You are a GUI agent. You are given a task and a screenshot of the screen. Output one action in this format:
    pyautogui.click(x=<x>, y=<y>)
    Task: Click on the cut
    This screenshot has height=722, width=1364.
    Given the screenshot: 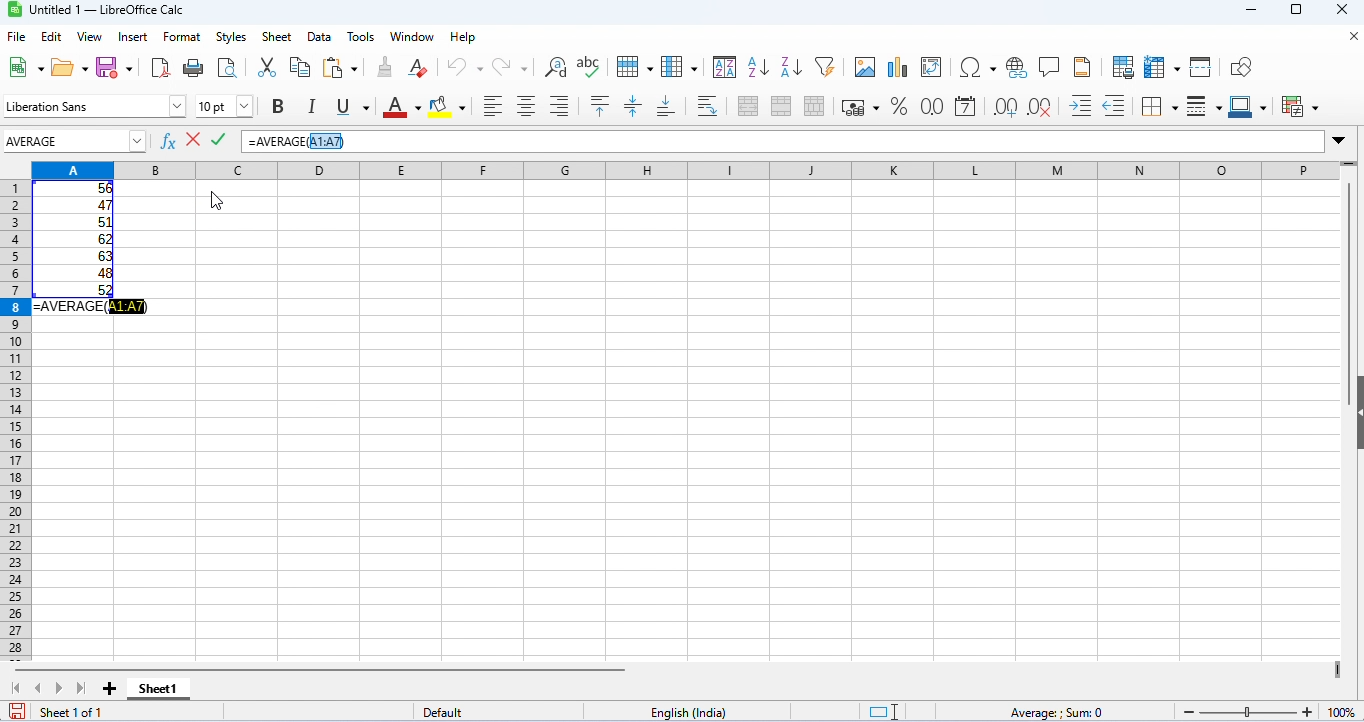 What is the action you would take?
    pyautogui.click(x=266, y=66)
    